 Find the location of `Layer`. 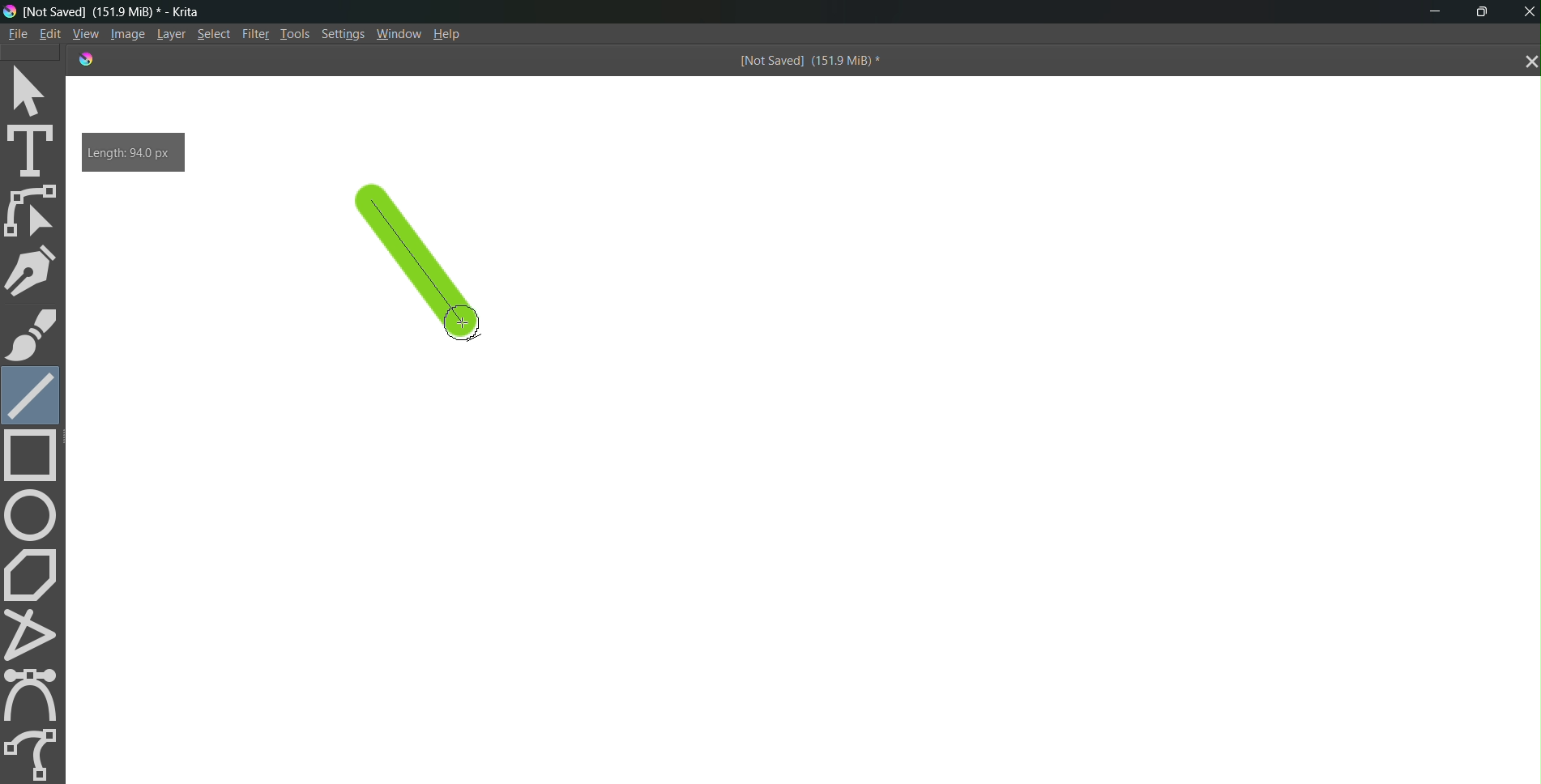

Layer is located at coordinates (168, 35).